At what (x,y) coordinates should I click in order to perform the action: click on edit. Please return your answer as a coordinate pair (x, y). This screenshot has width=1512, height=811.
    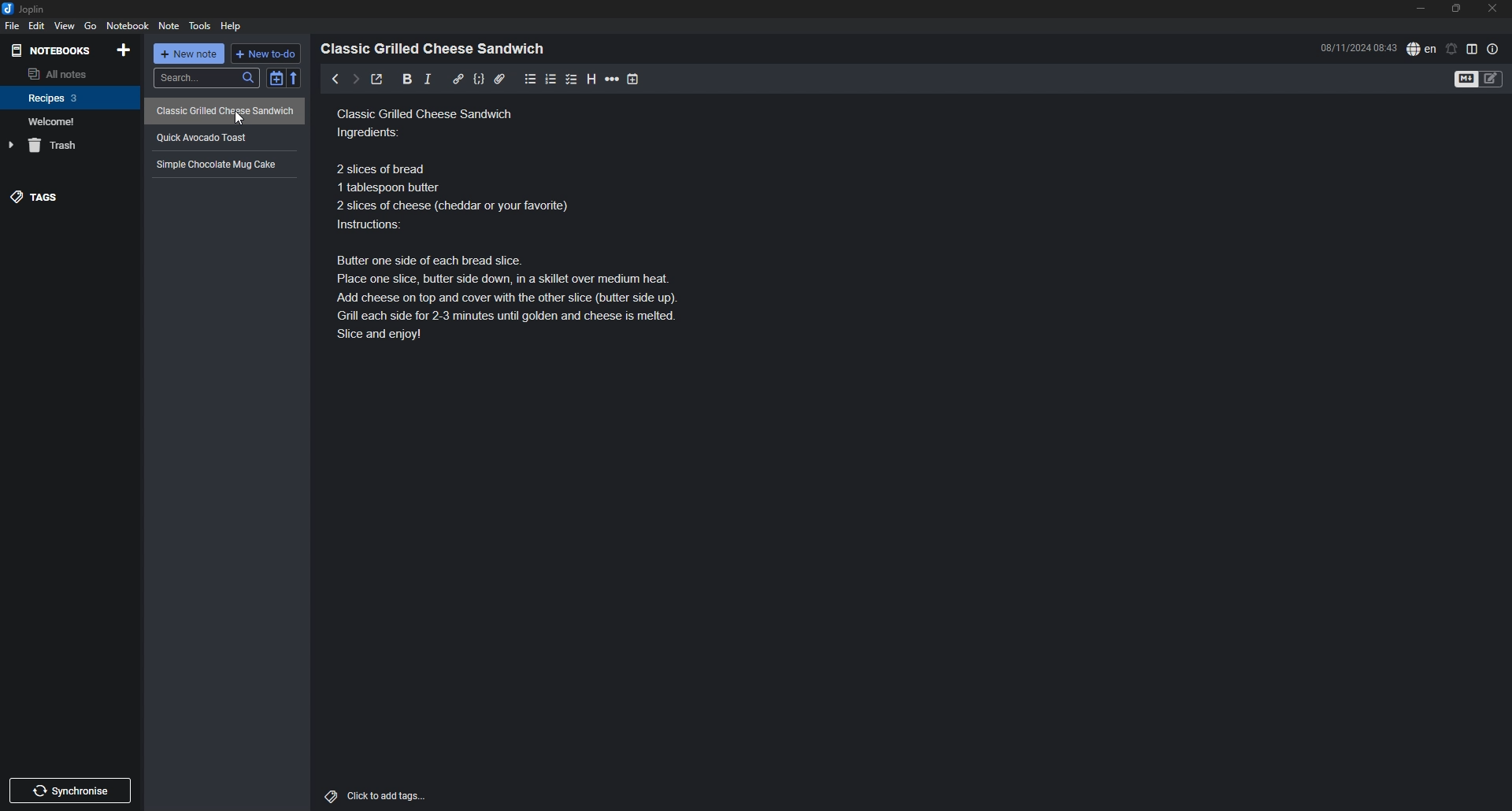
    Looking at the image, I should click on (35, 26).